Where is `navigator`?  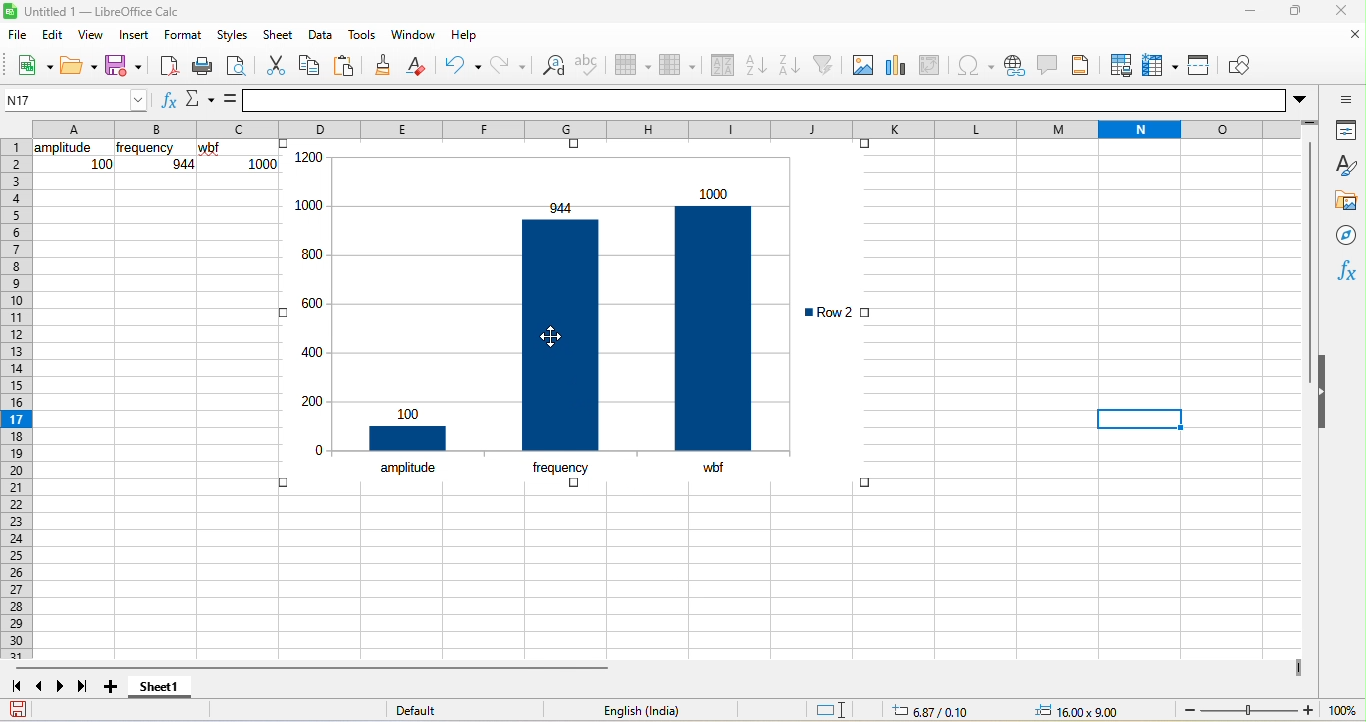
navigator is located at coordinates (1345, 232).